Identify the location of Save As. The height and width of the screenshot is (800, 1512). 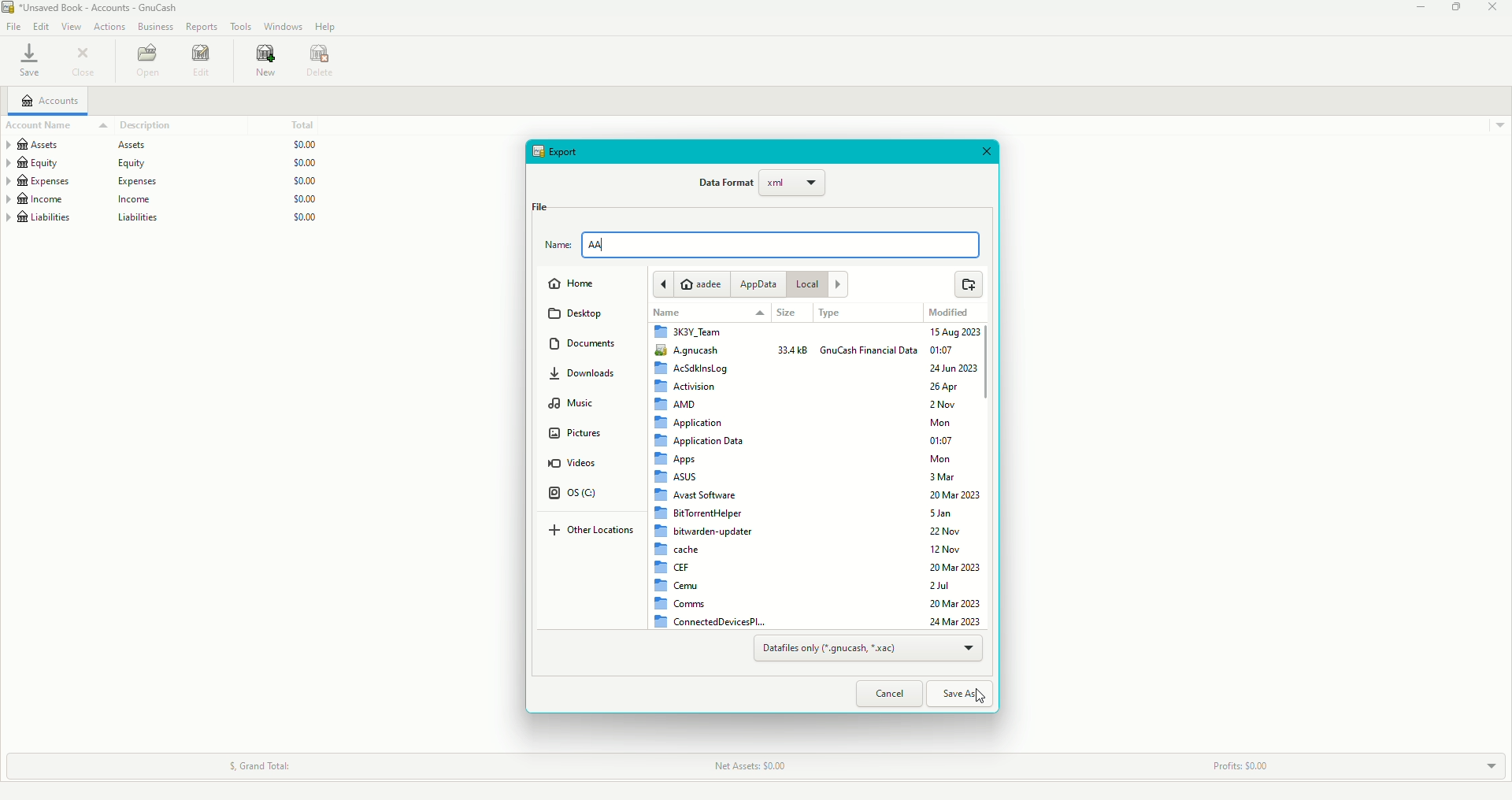
(964, 692).